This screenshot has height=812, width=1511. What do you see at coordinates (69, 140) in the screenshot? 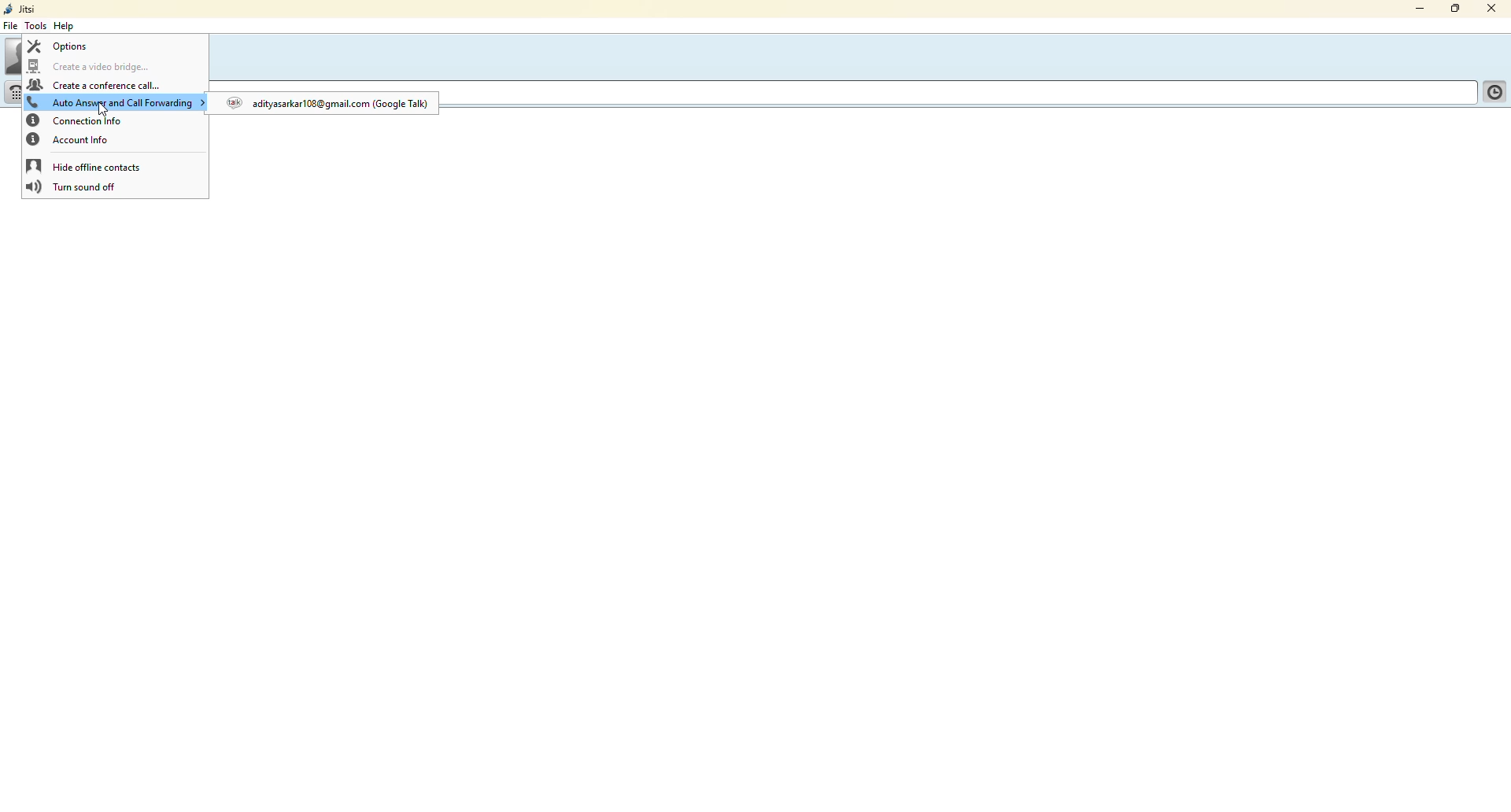
I see `account info` at bounding box center [69, 140].